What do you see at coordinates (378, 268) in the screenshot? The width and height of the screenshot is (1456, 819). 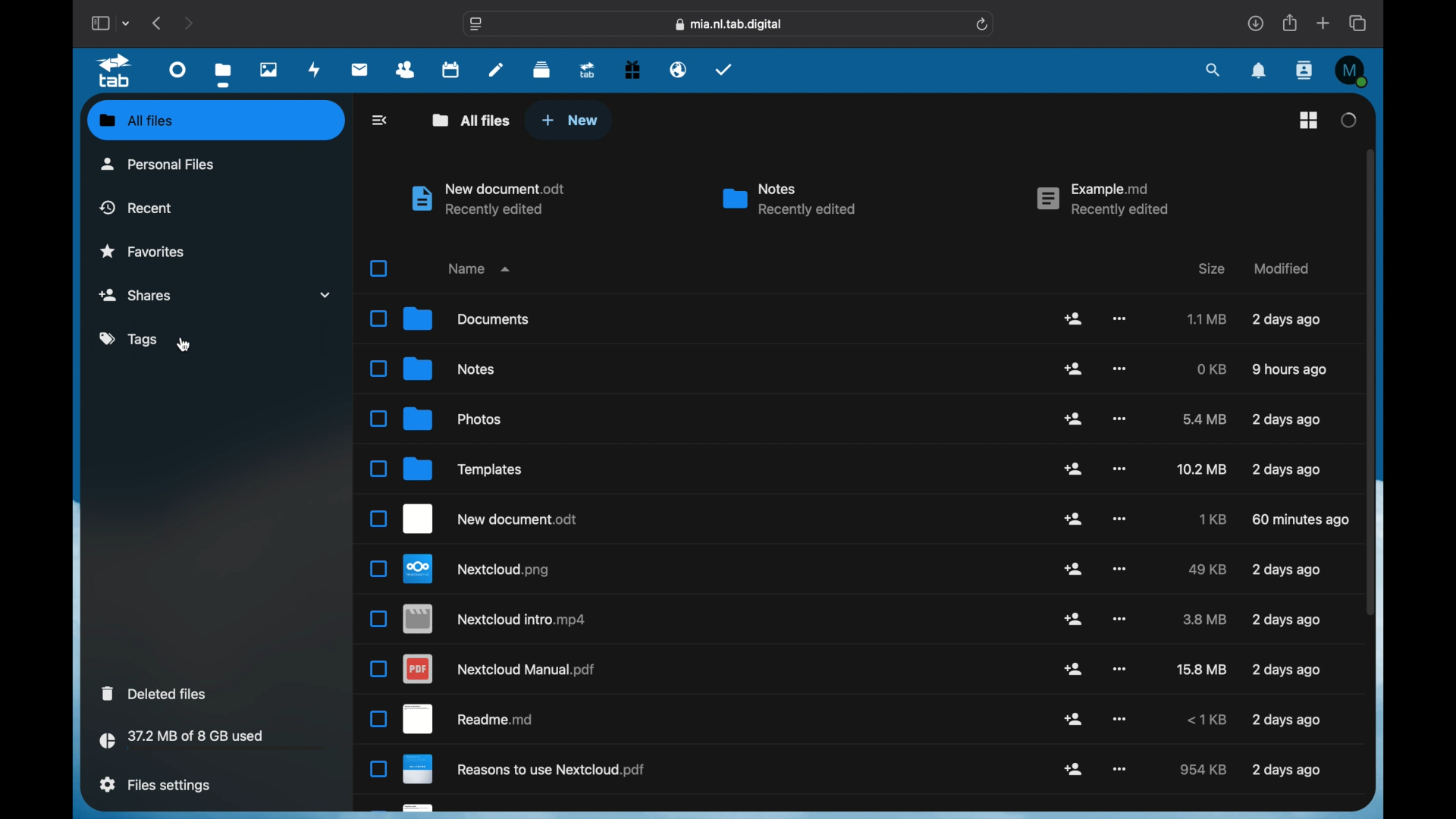 I see `select all checkbox` at bounding box center [378, 268].